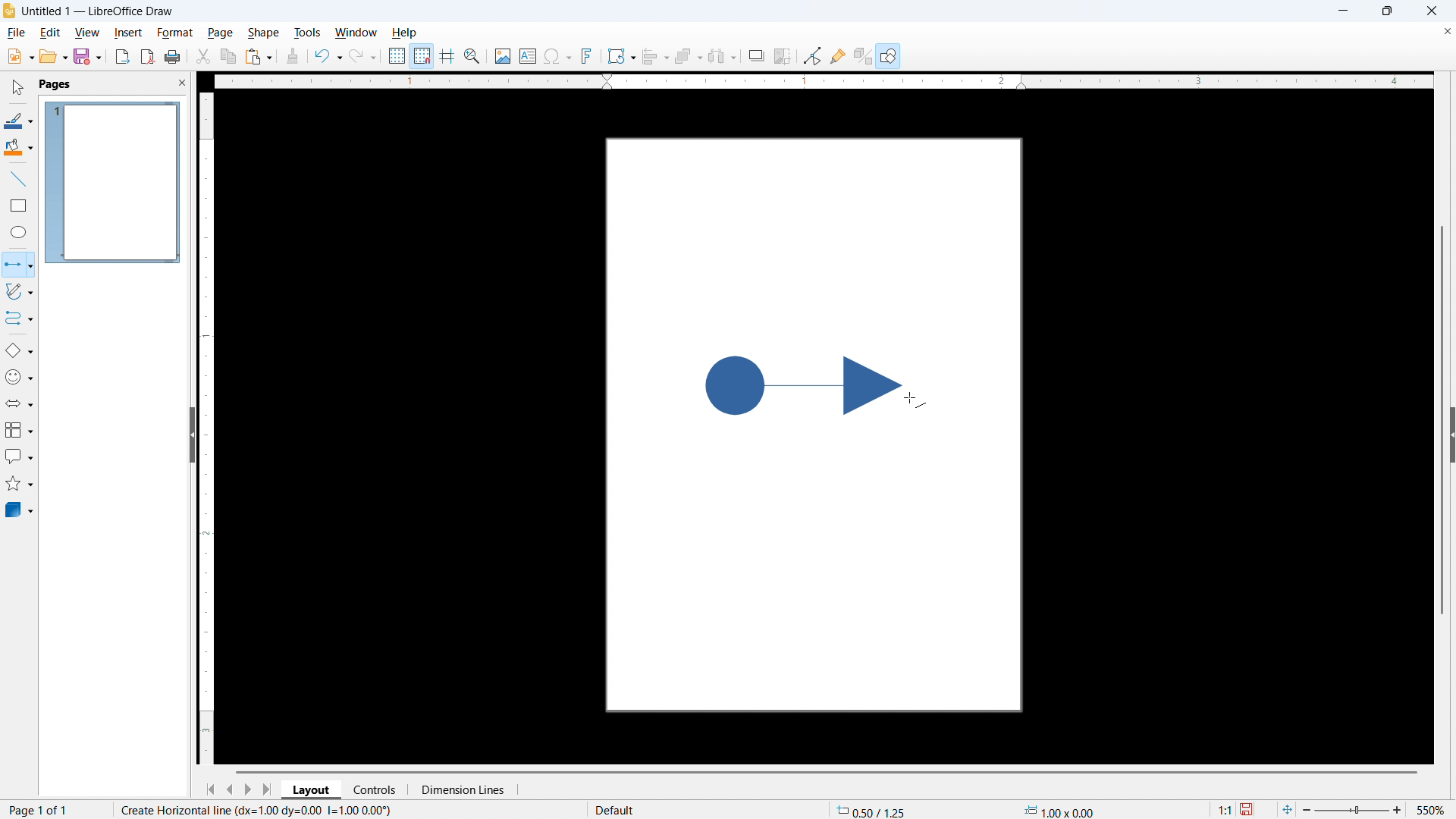 Image resolution: width=1456 pixels, height=819 pixels. What do you see at coordinates (376, 789) in the screenshot?
I see `Controls ` at bounding box center [376, 789].